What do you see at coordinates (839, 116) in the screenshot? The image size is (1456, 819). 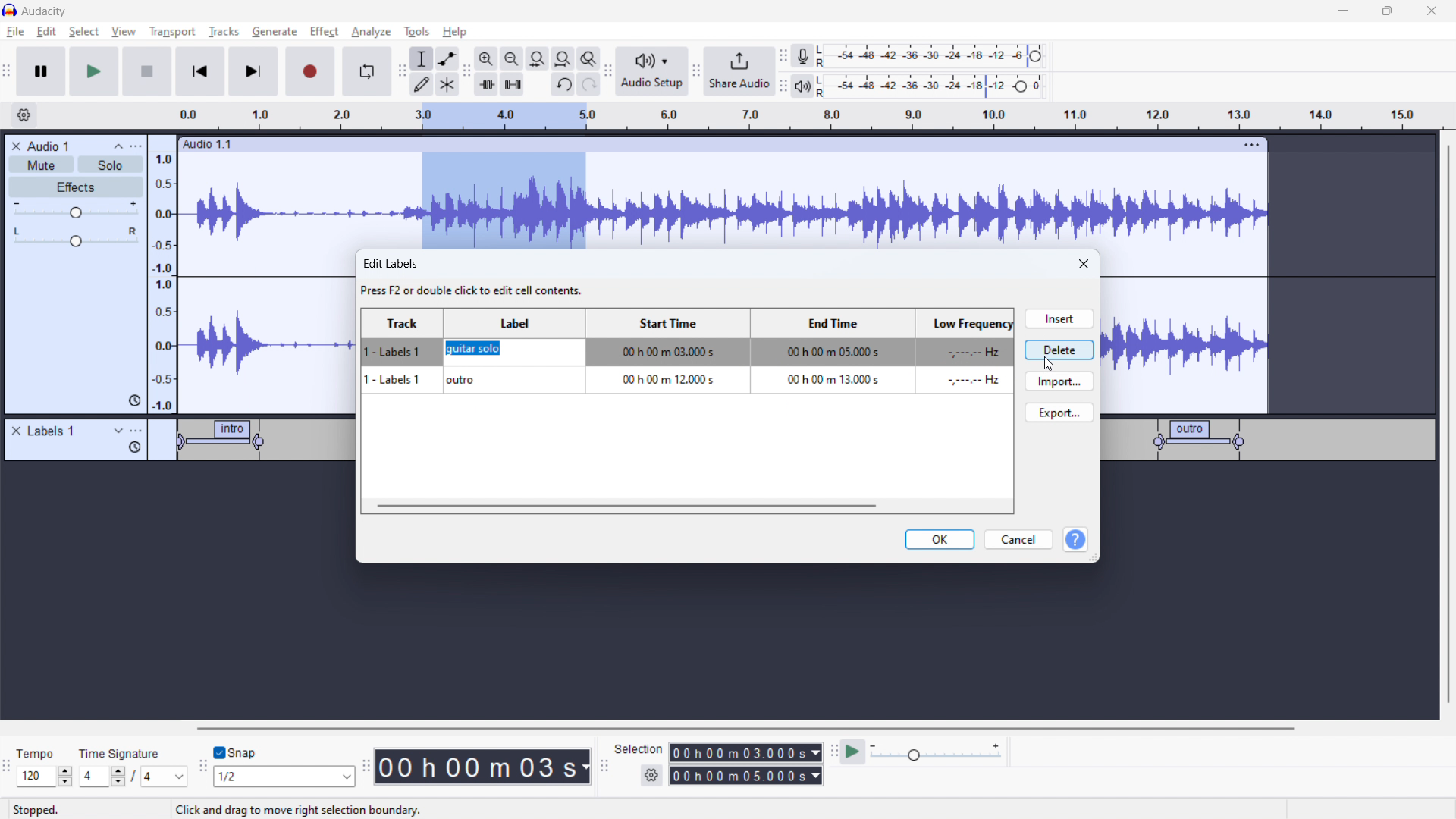 I see `timeline` at bounding box center [839, 116].